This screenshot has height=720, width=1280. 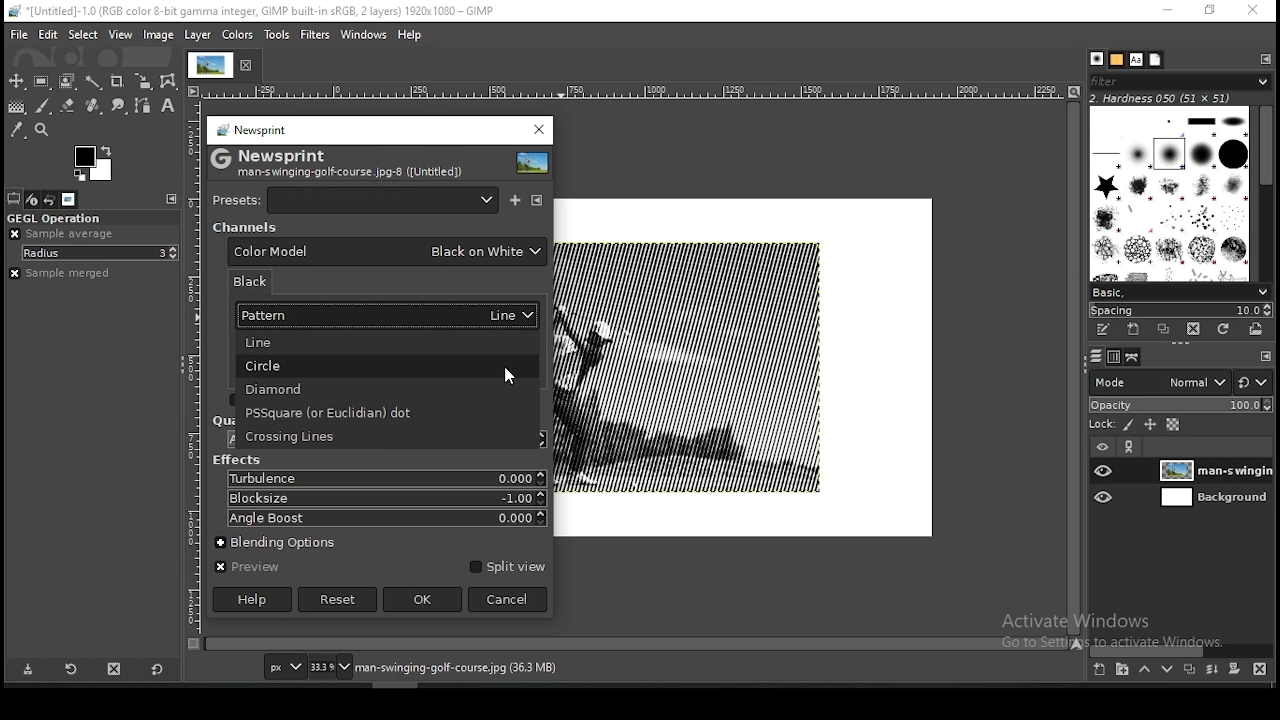 What do you see at coordinates (170, 82) in the screenshot?
I see `cage transform tool` at bounding box center [170, 82].